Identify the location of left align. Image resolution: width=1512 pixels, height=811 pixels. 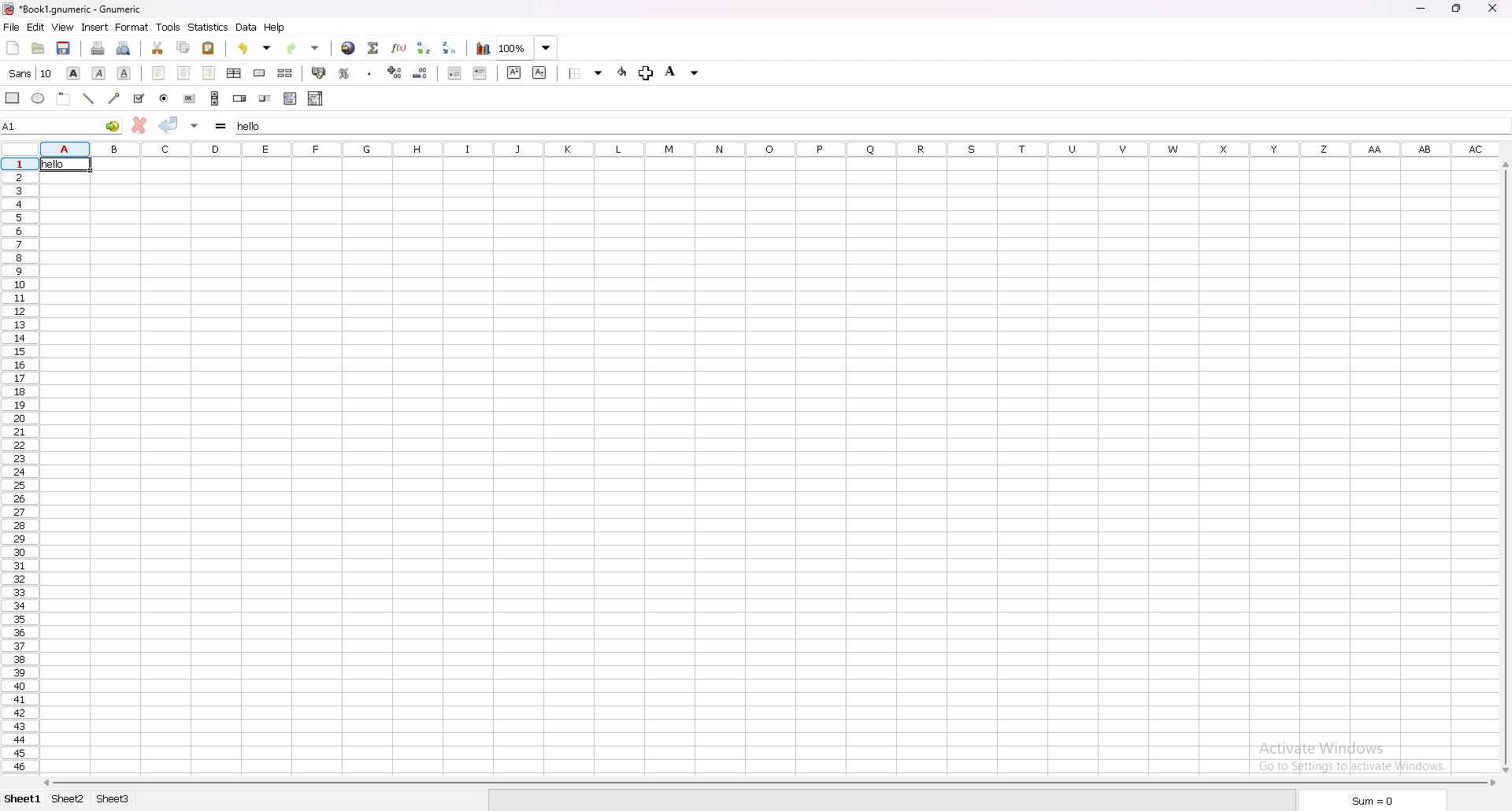
(161, 72).